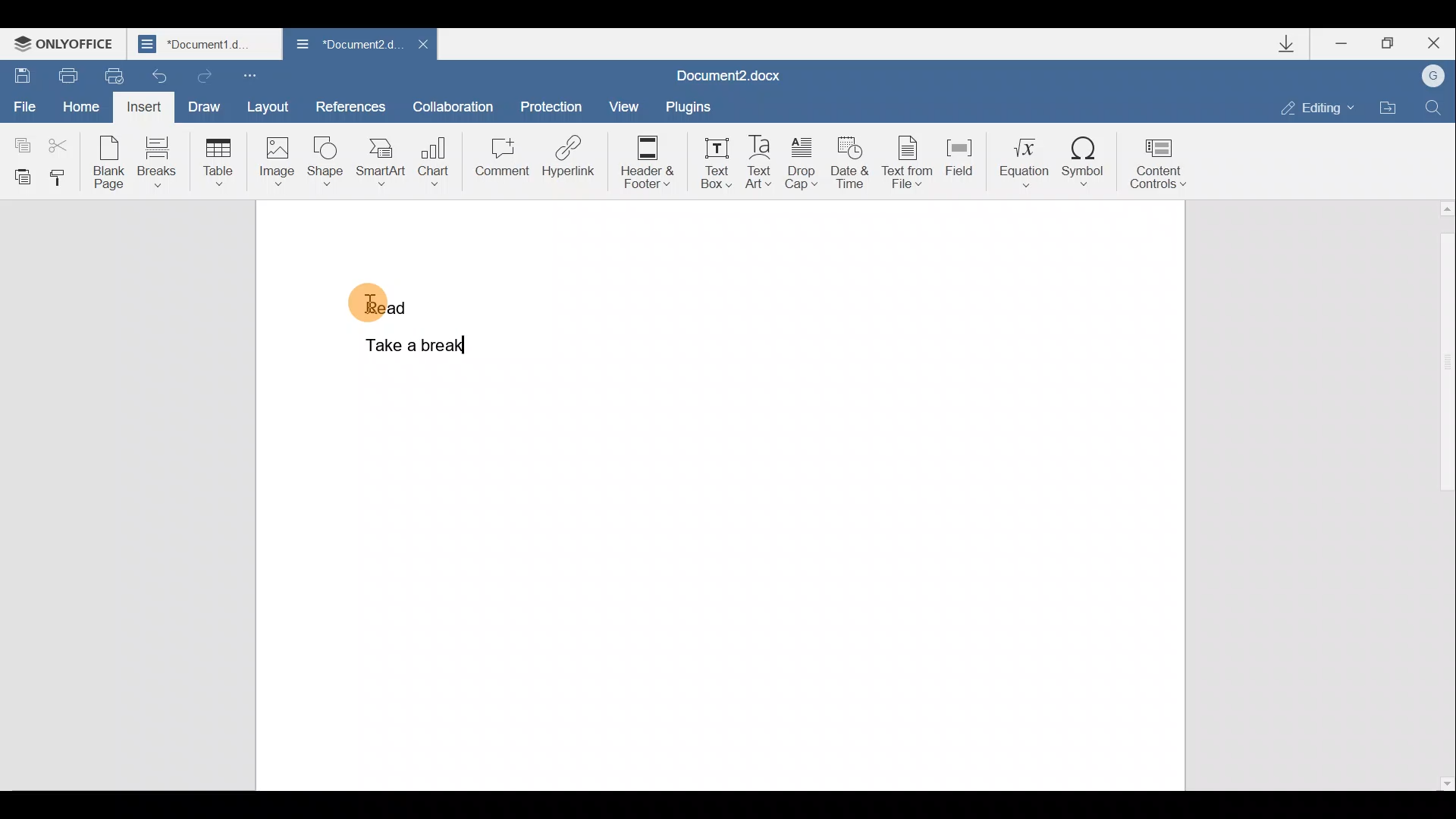 The height and width of the screenshot is (819, 1456). Describe the element at coordinates (619, 105) in the screenshot. I see `View` at that location.